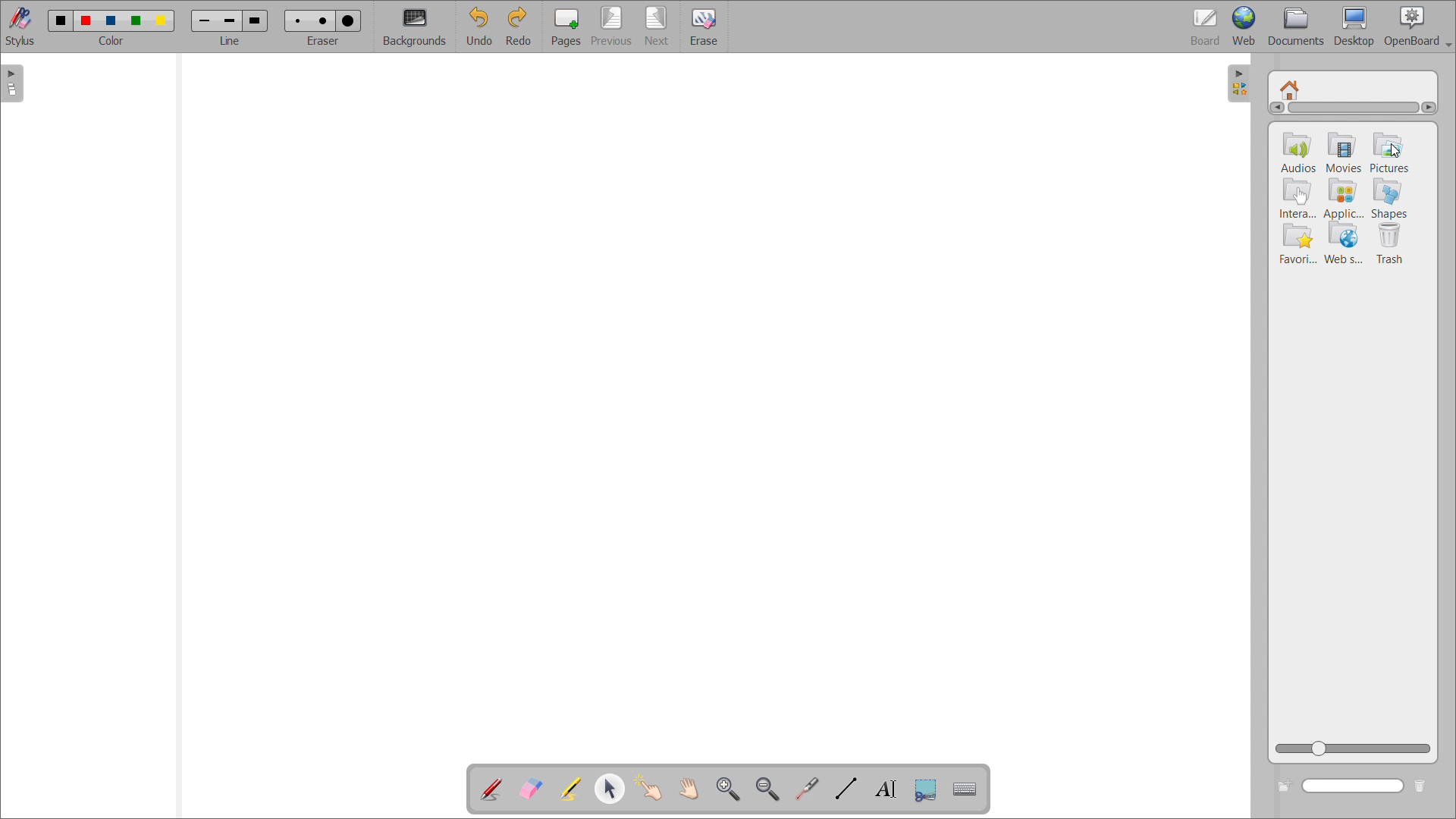 The image size is (1456, 819). Describe the element at coordinates (965, 789) in the screenshot. I see `virtual keyboard` at that location.